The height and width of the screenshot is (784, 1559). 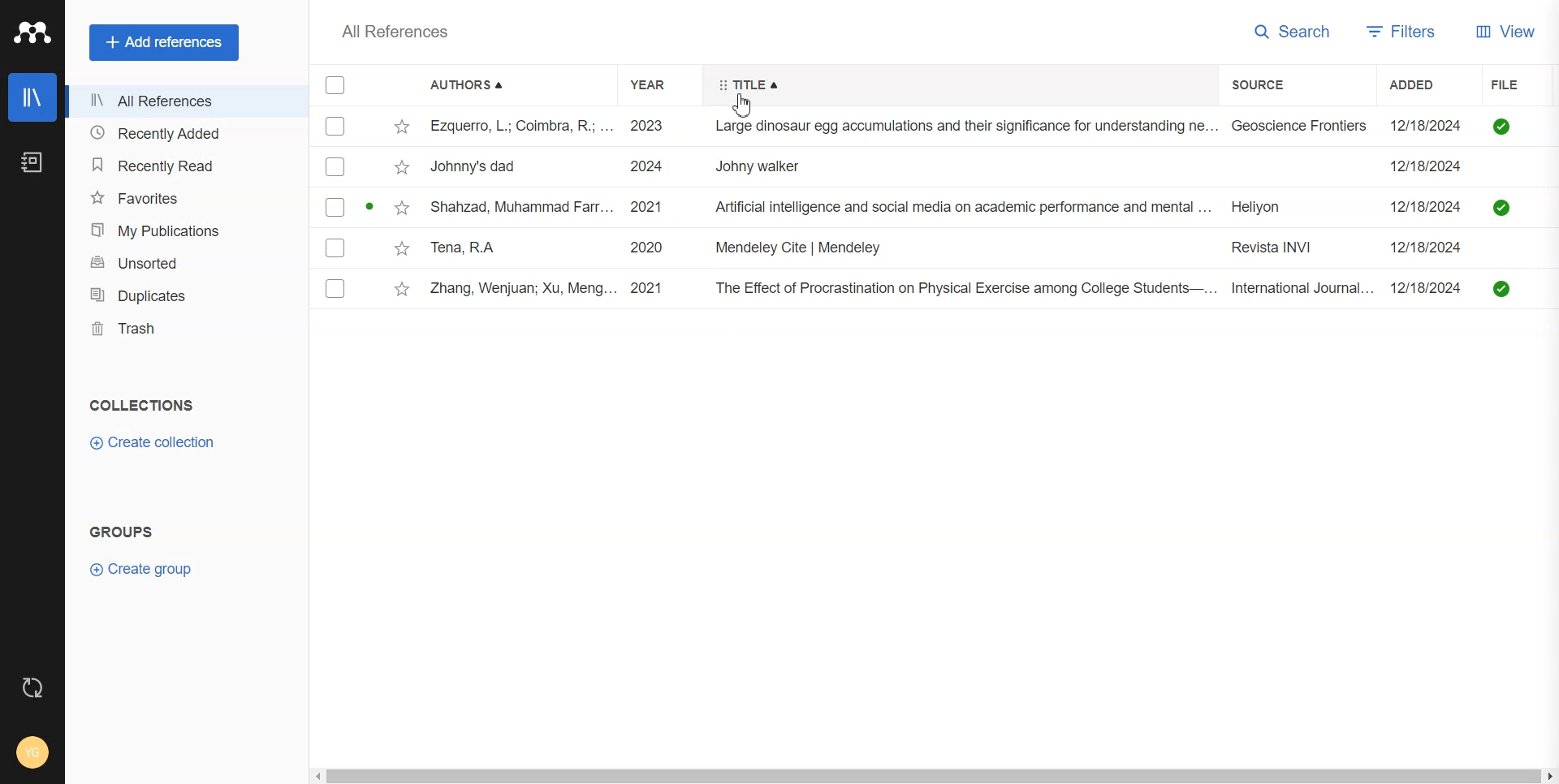 I want to click on File, so click(x=991, y=128).